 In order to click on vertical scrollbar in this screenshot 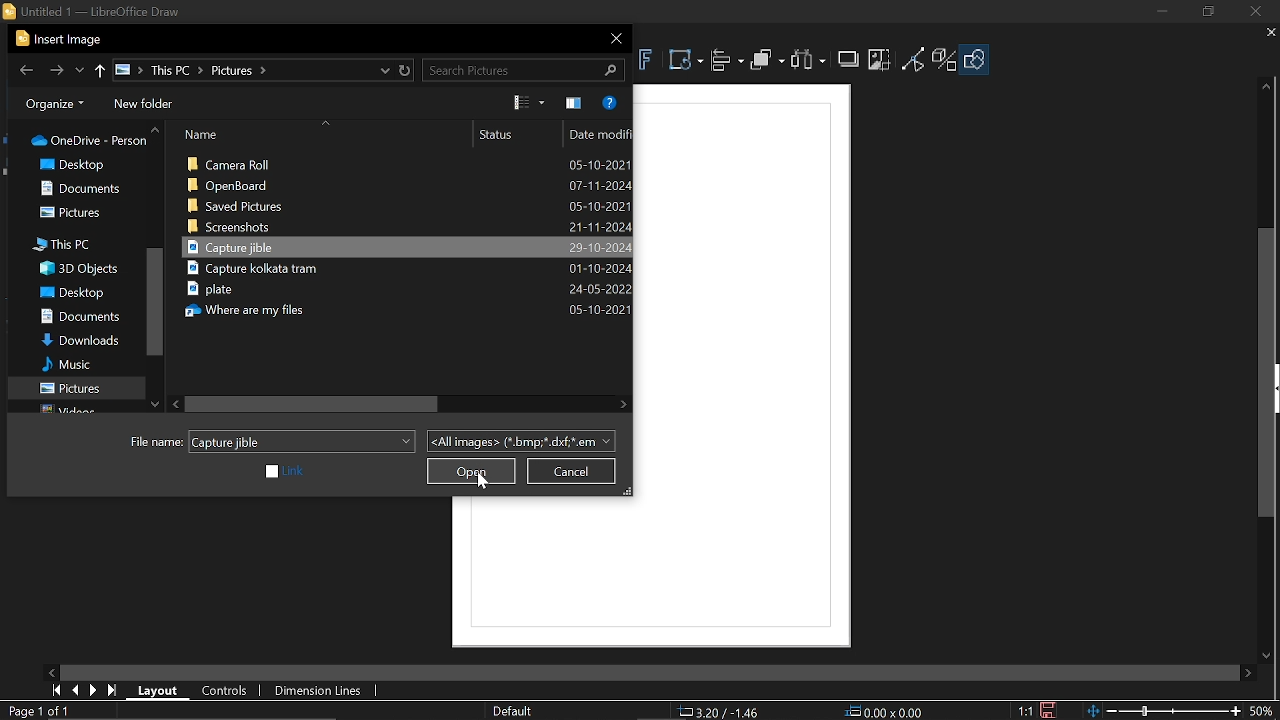, I will do `click(1260, 372)`.